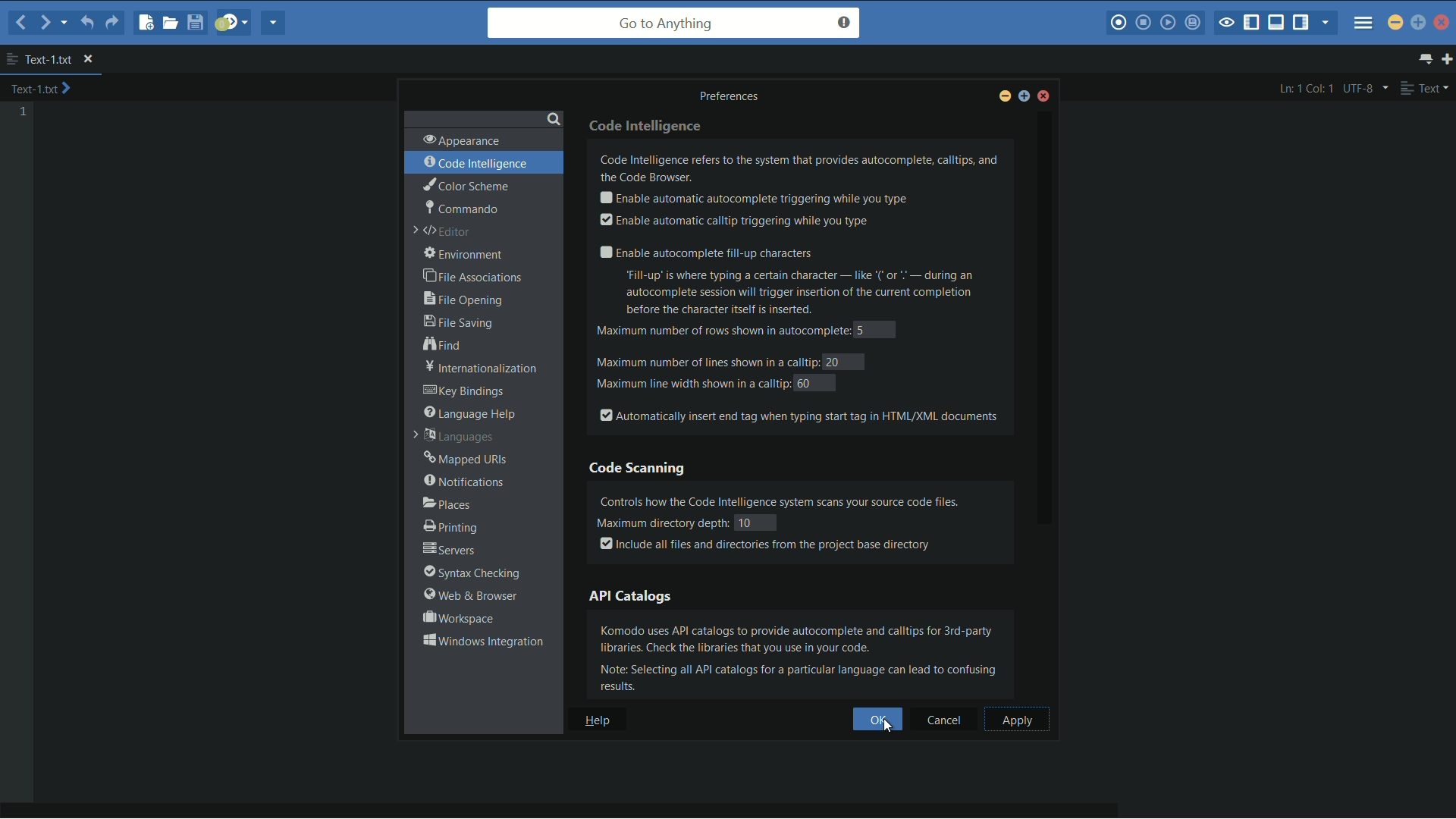  Describe the element at coordinates (811, 293) in the screenshot. I see `“Fill-up’ is where typing a certain character — like ‘(or " — during an
autocomplete session will trigger insertion of the current completion
before the character itself is inserted.` at that location.